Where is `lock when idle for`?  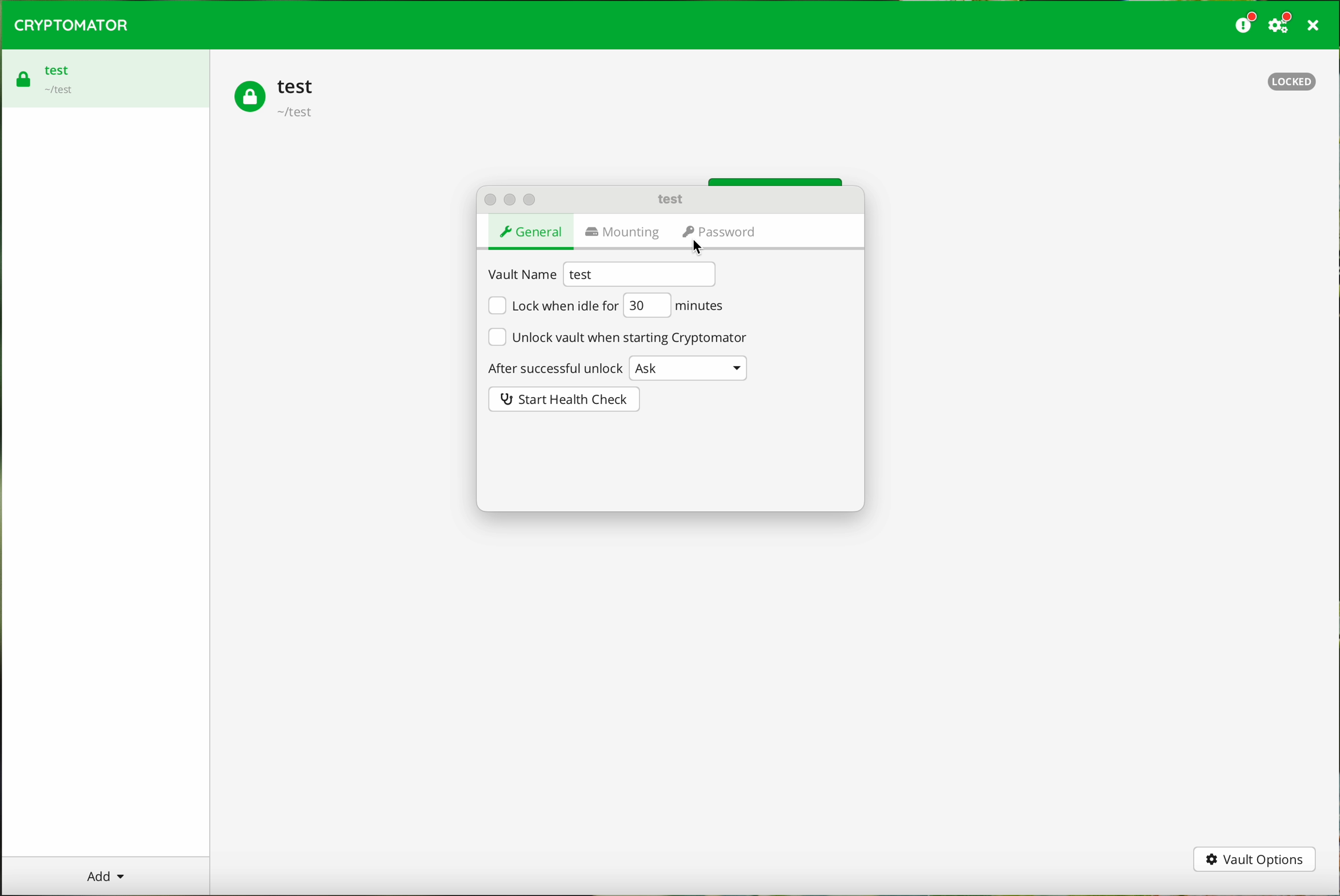
lock when idle for is located at coordinates (552, 305).